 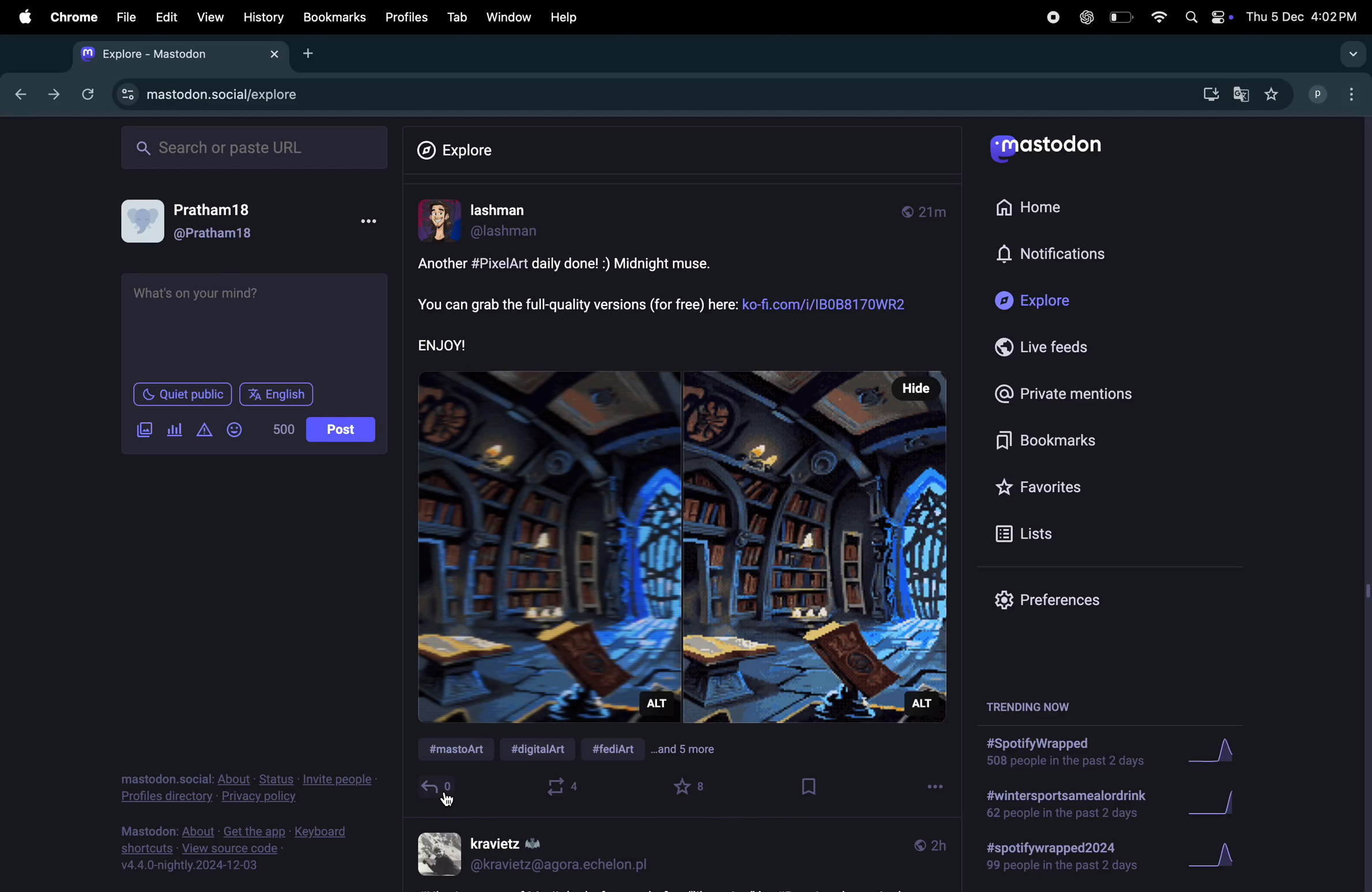 What do you see at coordinates (233, 429) in the screenshot?
I see `emoji` at bounding box center [233, 429].